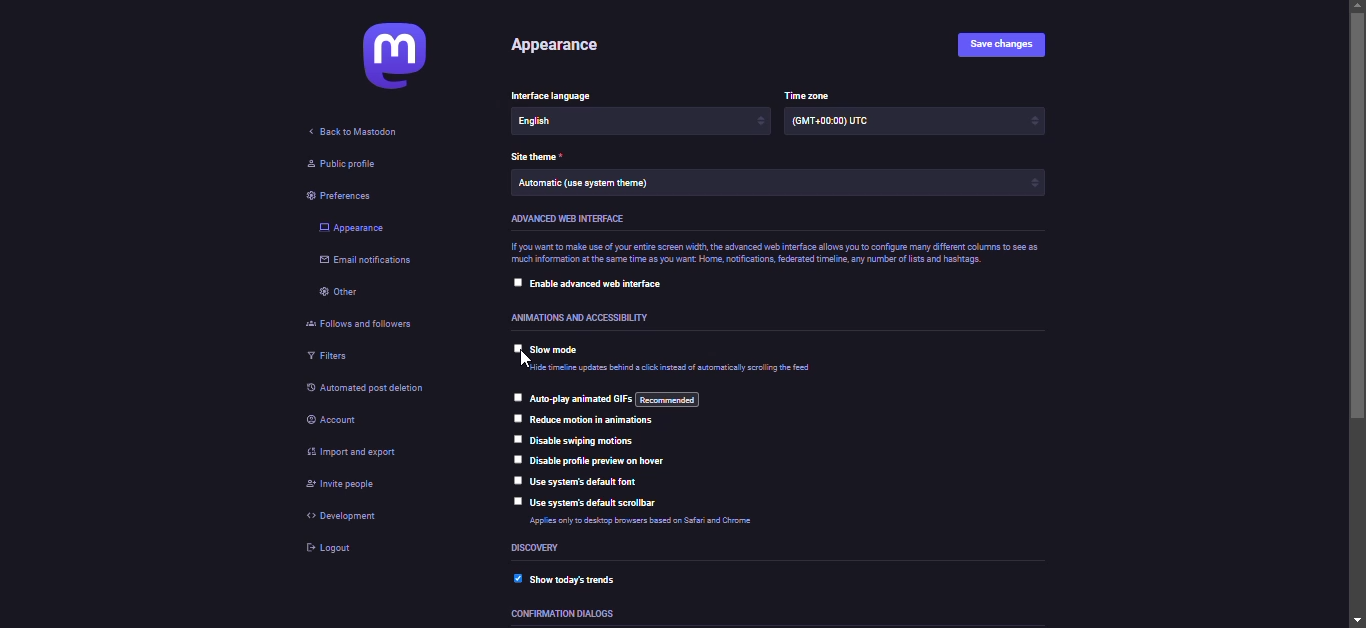 The image size is (1366, 628). What do you see at coordinates (544, 157) in the screenshot?
I see `theme` at bounding box center [544, 157].